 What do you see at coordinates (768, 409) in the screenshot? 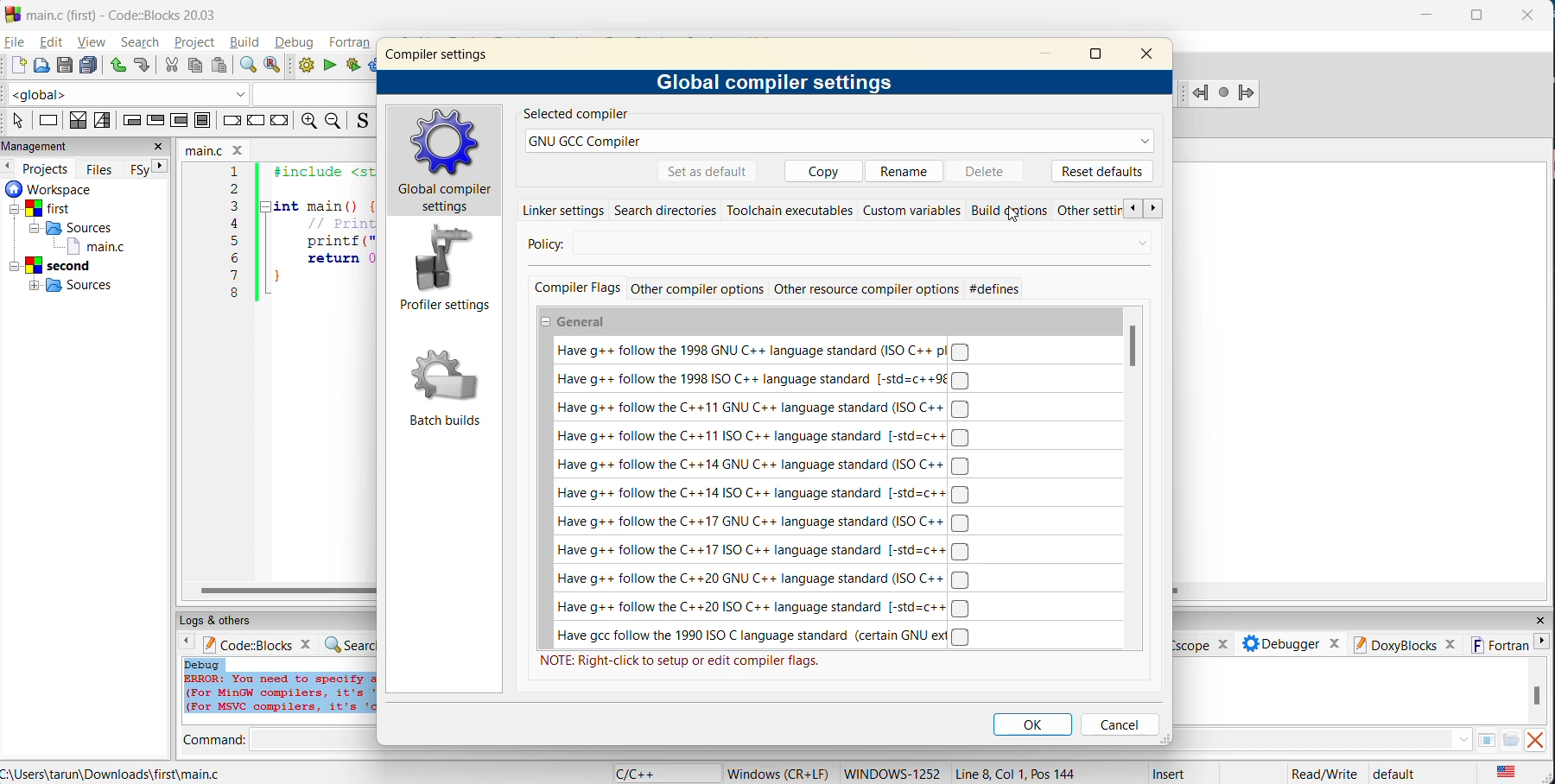
I see `Have g++ follow the C++11 GNU C++ language standard (ISO C++` at bounding box center [768, 409].